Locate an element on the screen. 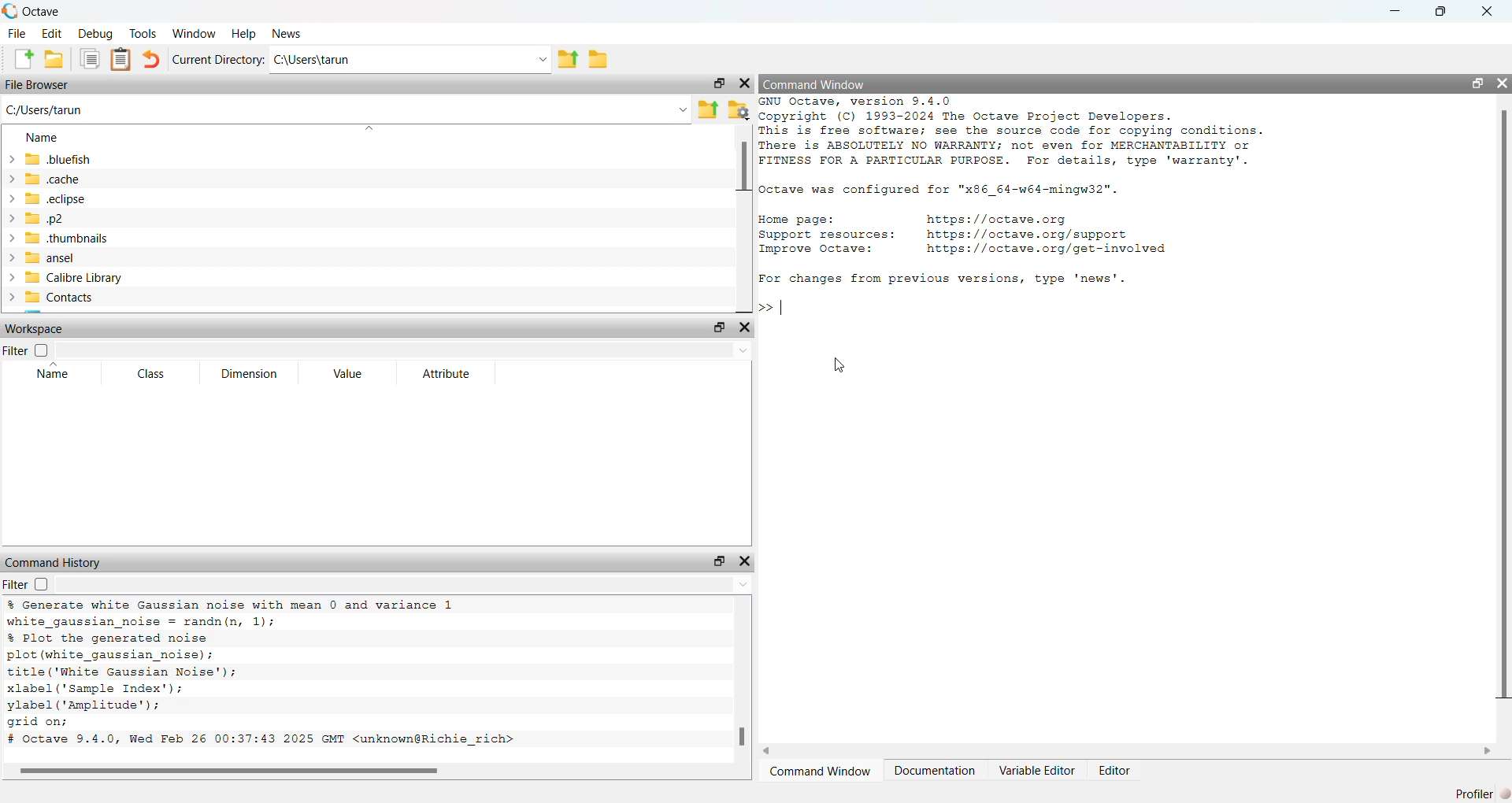  Filter is located at coordinates (15, 352).